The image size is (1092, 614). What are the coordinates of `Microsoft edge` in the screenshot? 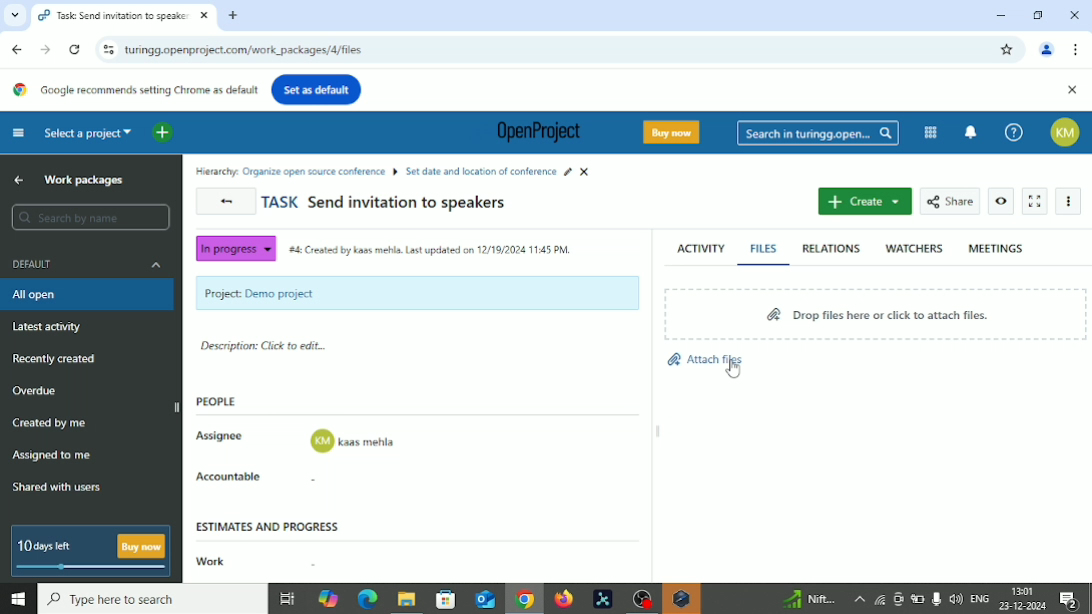 It's located at (366, 600).